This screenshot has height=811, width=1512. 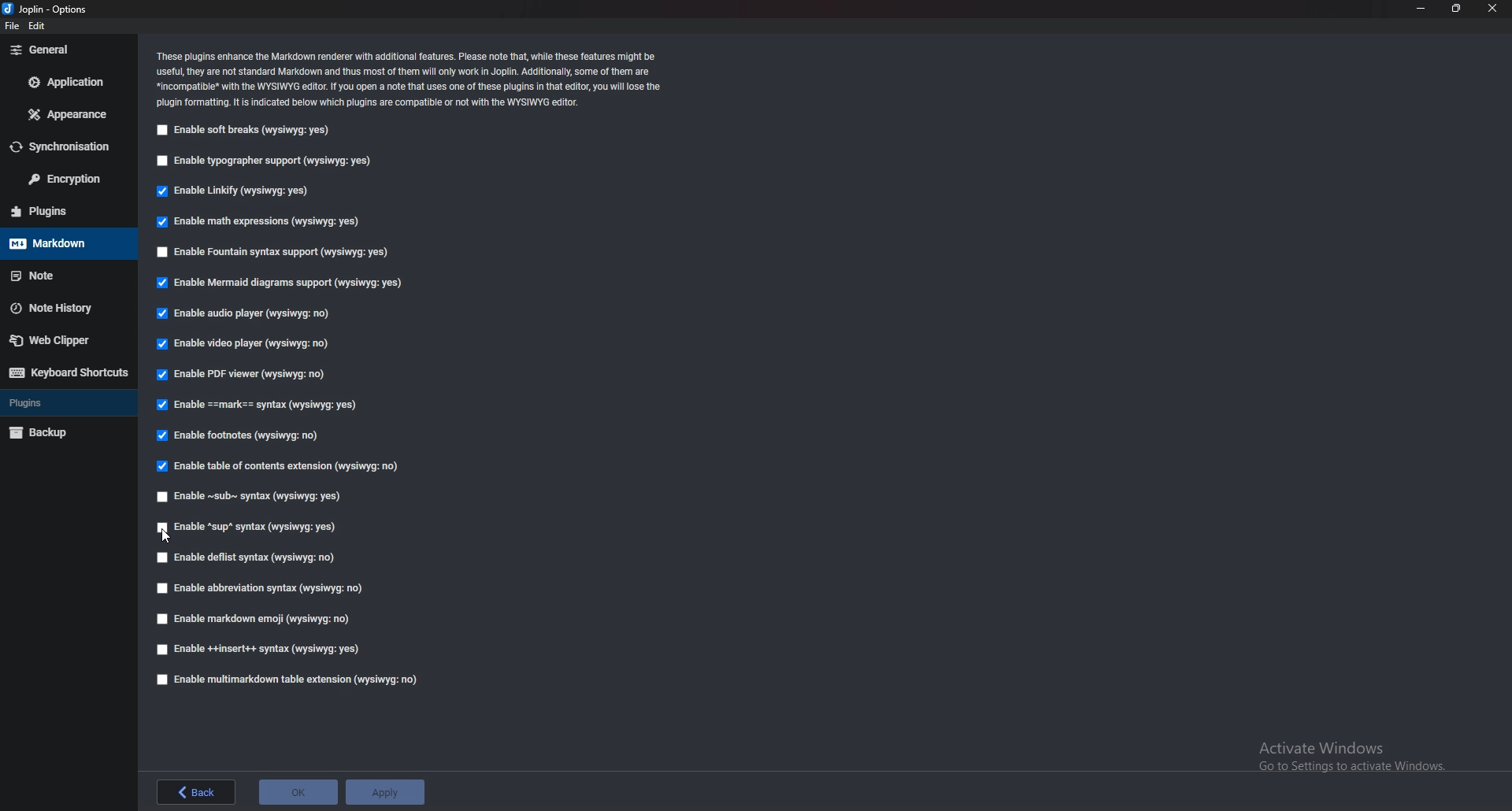 I want to click on note, so click(x=66, y=276).